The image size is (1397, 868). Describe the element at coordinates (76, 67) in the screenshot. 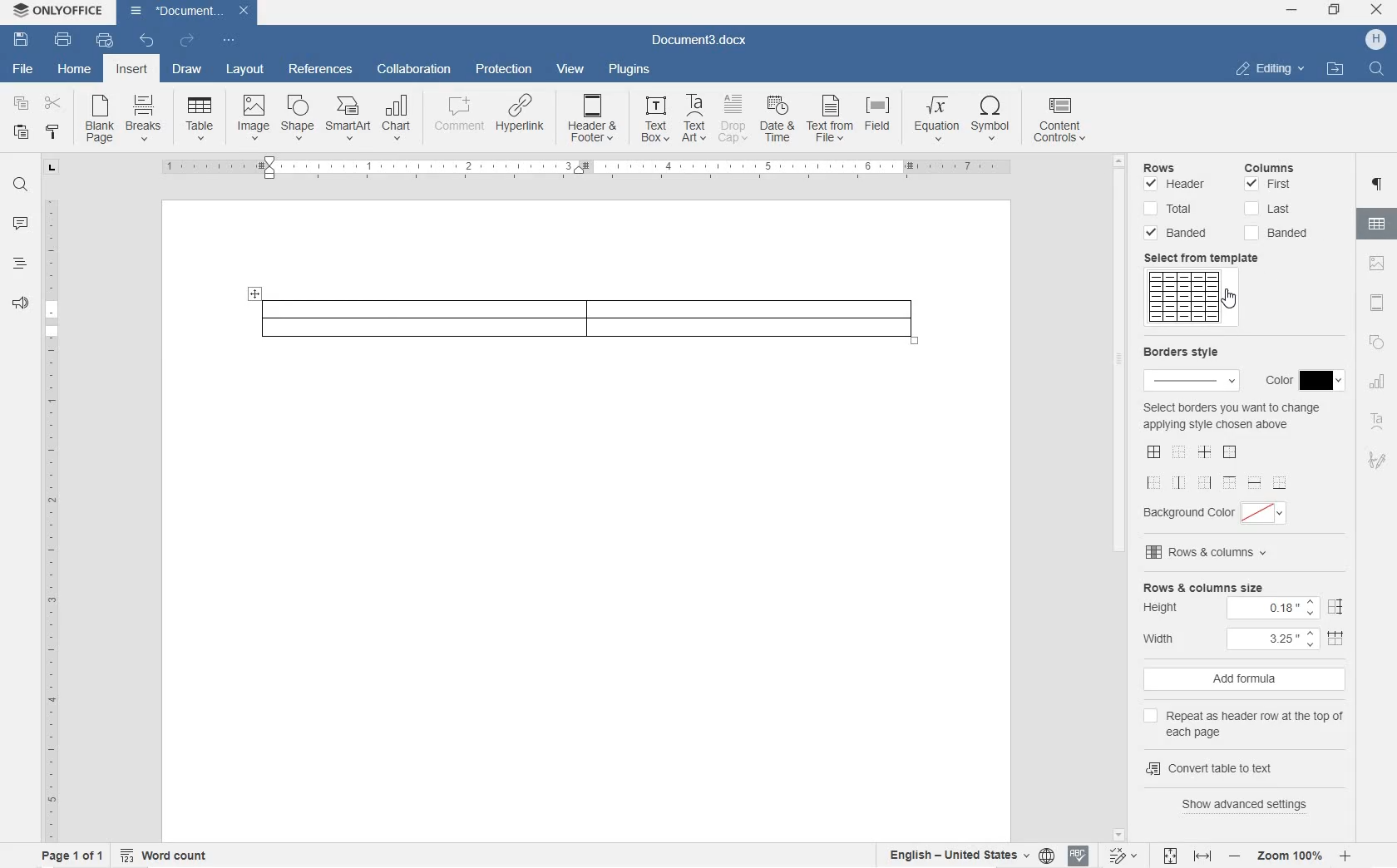

I see `HOME` at that location.